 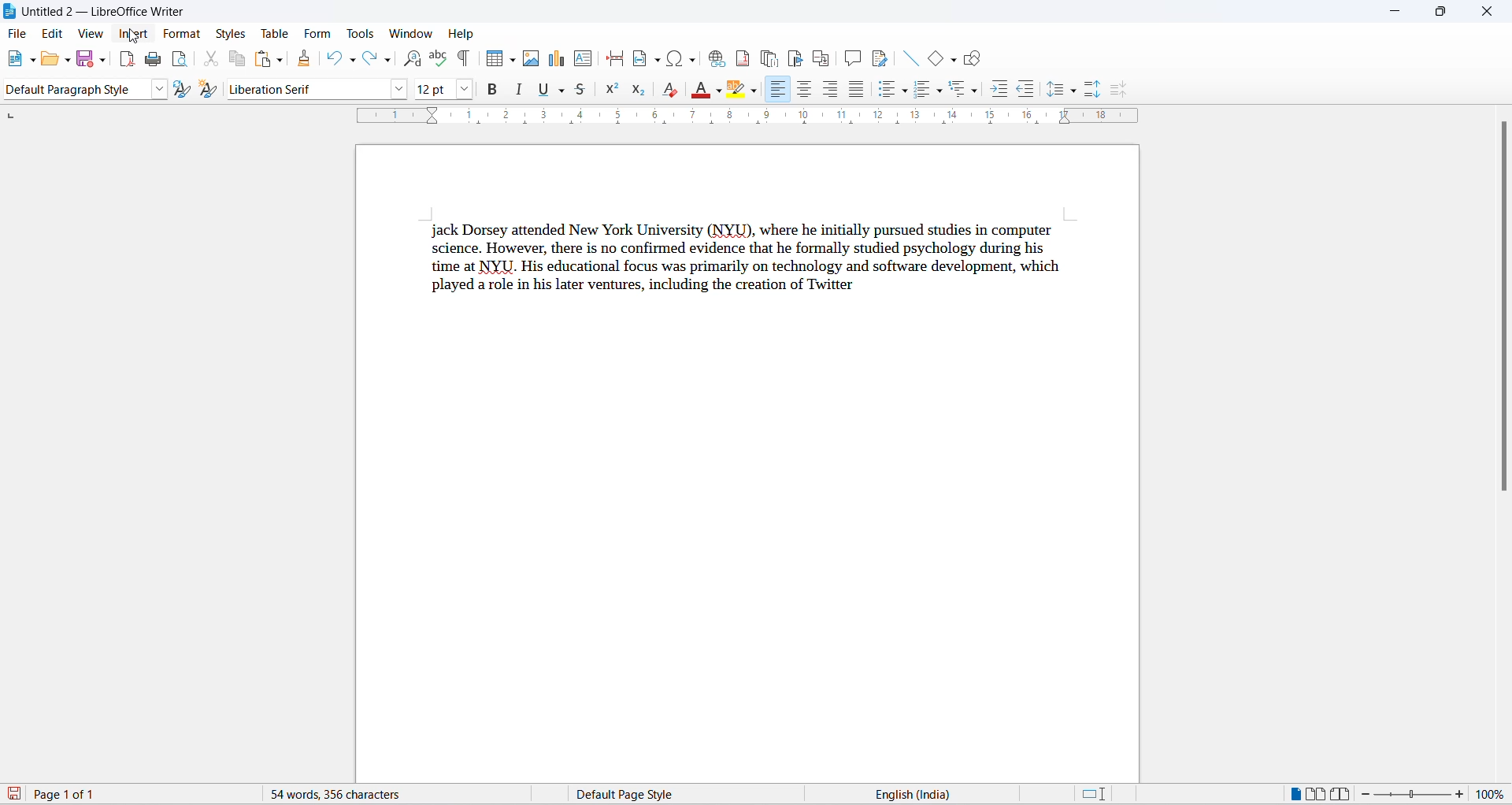 I want to click on zoom percentage, so click(x=1494, y=796).